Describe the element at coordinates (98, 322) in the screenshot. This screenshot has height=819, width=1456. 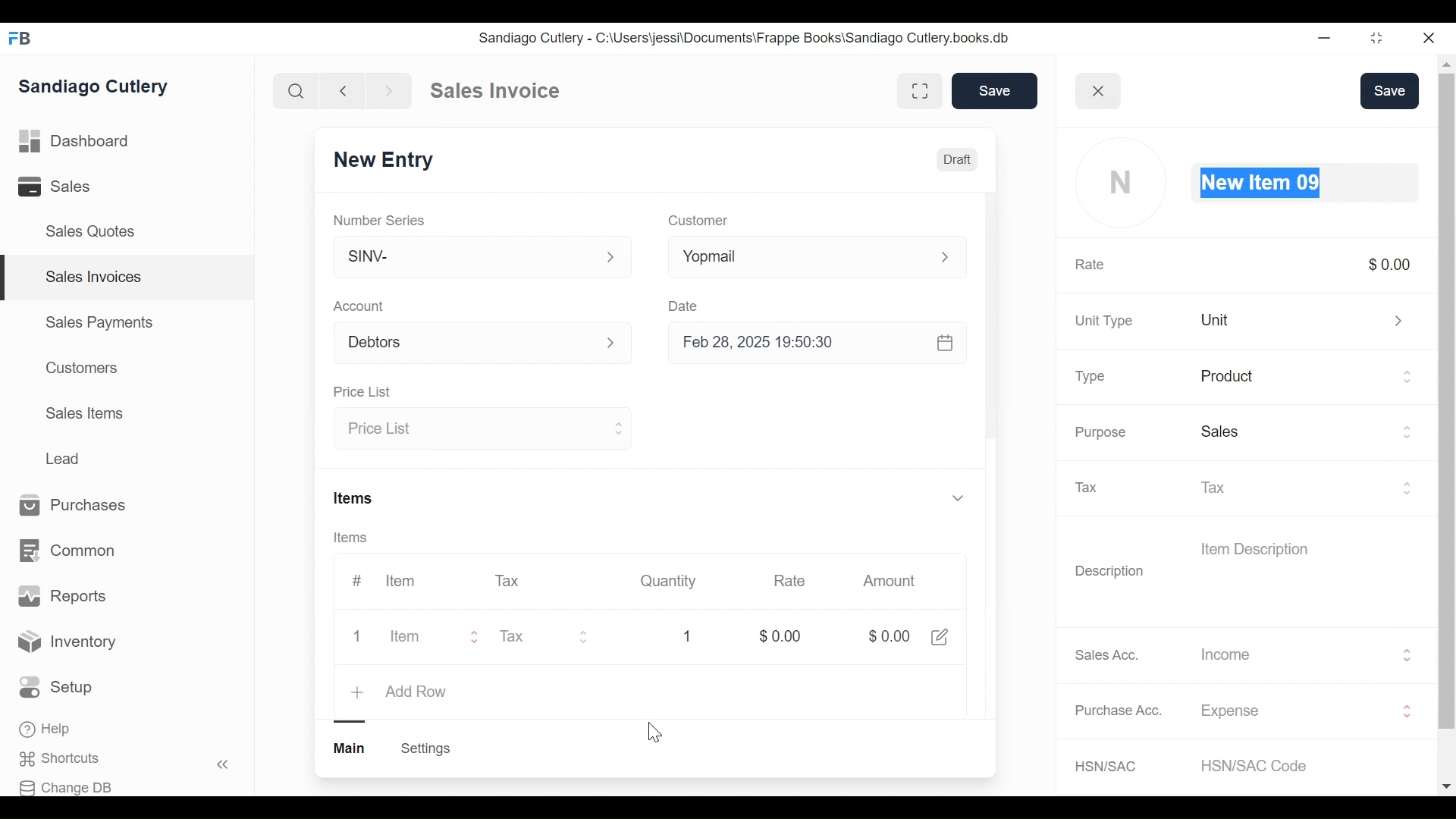
I see `Sales Payments` at that location.